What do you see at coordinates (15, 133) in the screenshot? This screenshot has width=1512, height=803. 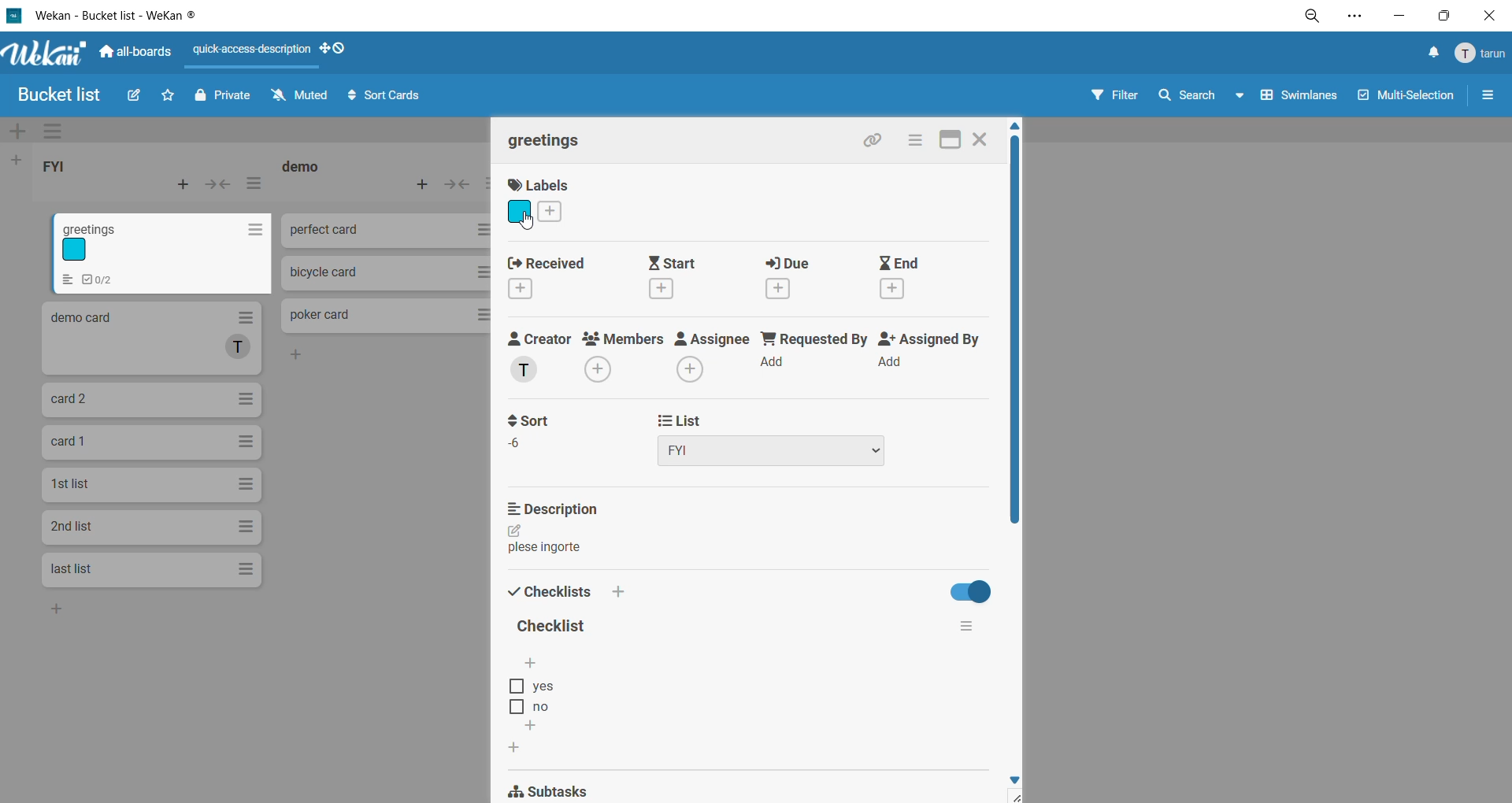 I see `add swimlane` at bounding box center [15, 133].